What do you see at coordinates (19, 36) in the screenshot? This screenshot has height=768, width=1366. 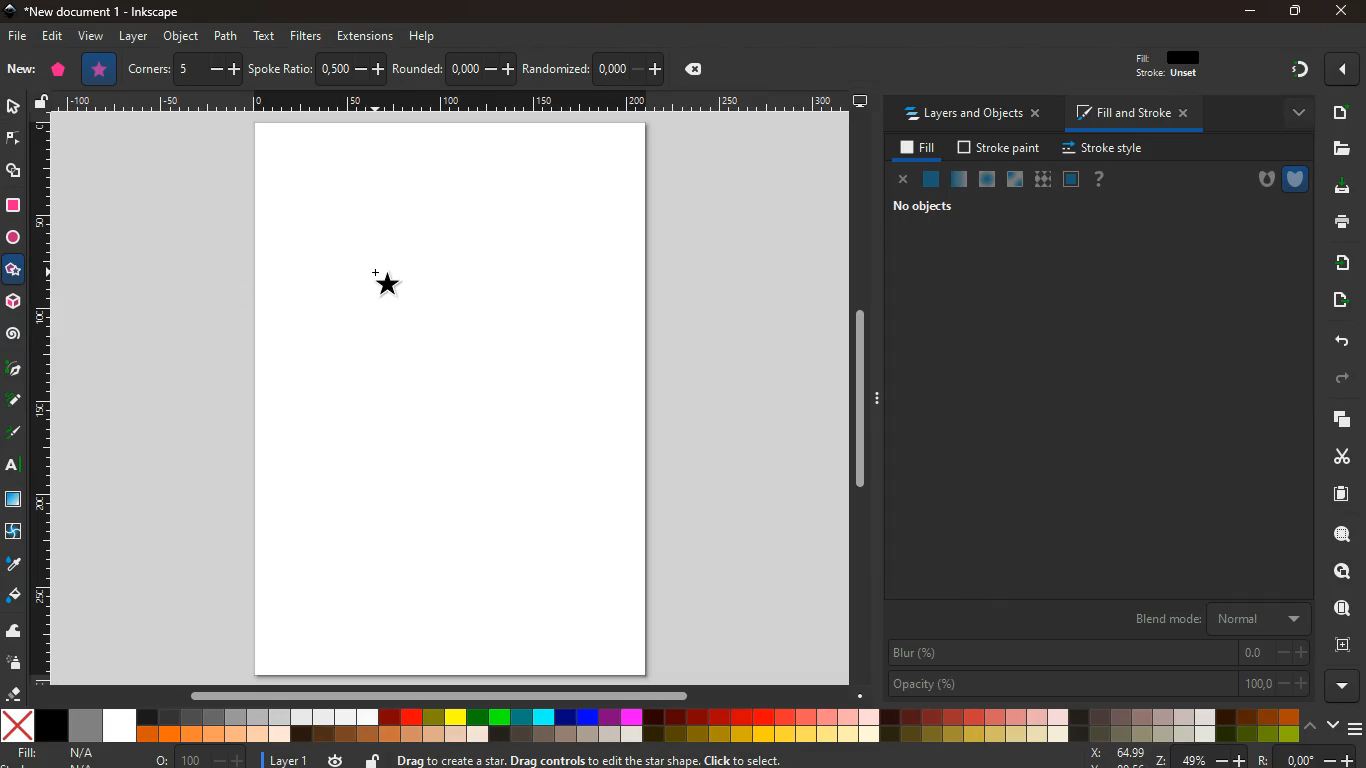 I see `file` at bounding box center [19, 36].